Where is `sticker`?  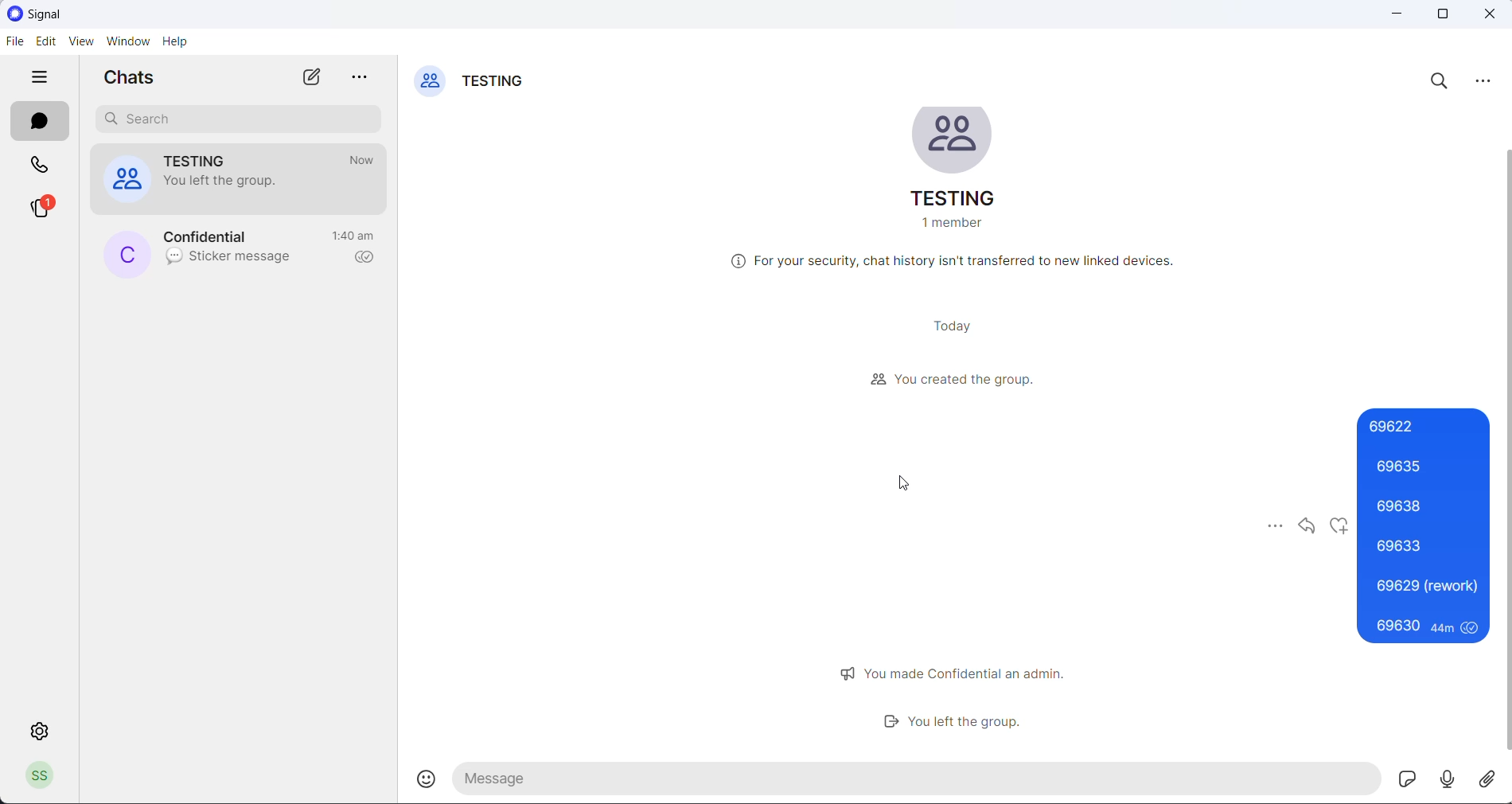 sticker is located at coordinates (1409, 779).